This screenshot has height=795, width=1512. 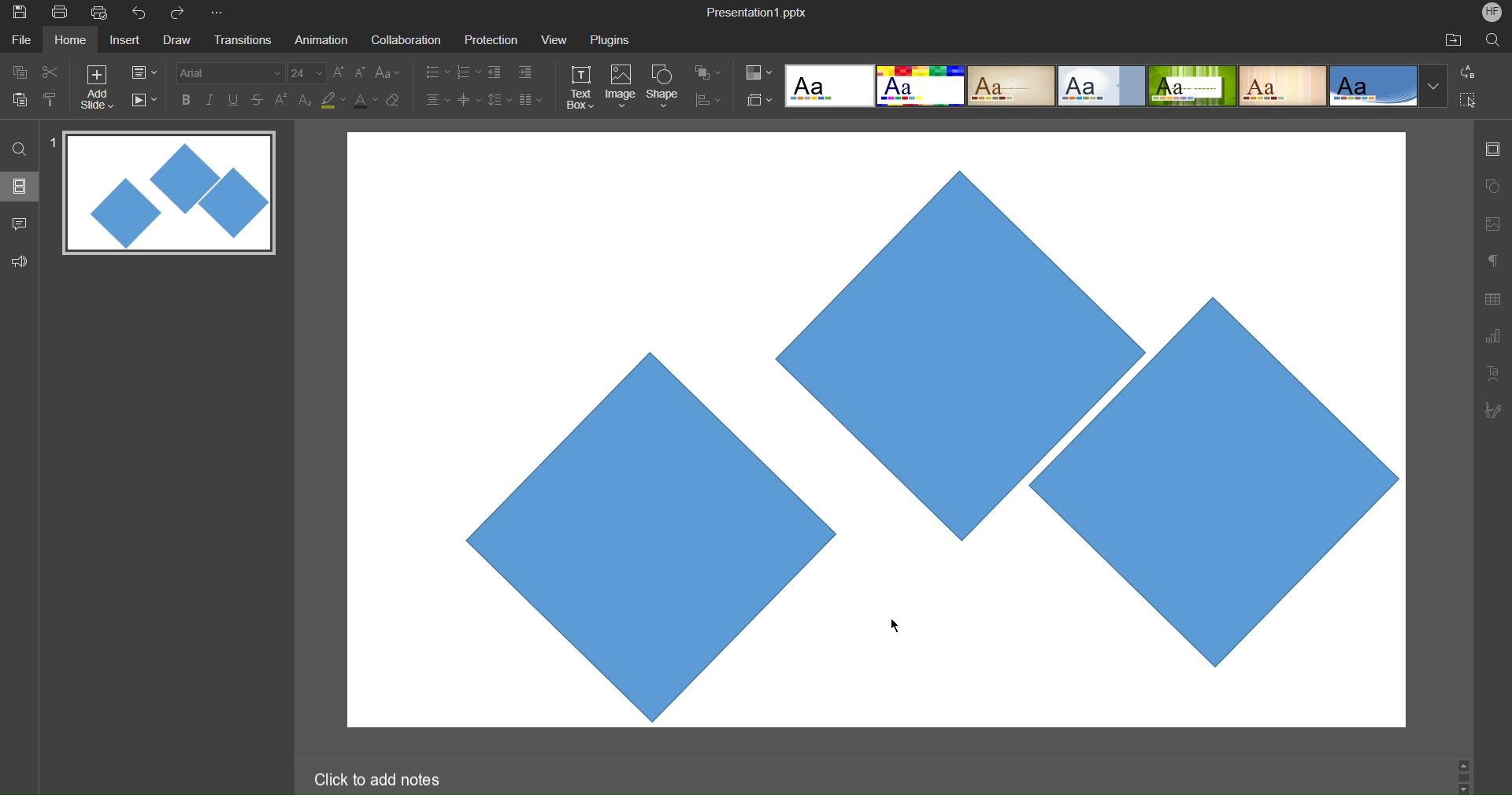 I want to click on chat, so click(x=21, y=221).